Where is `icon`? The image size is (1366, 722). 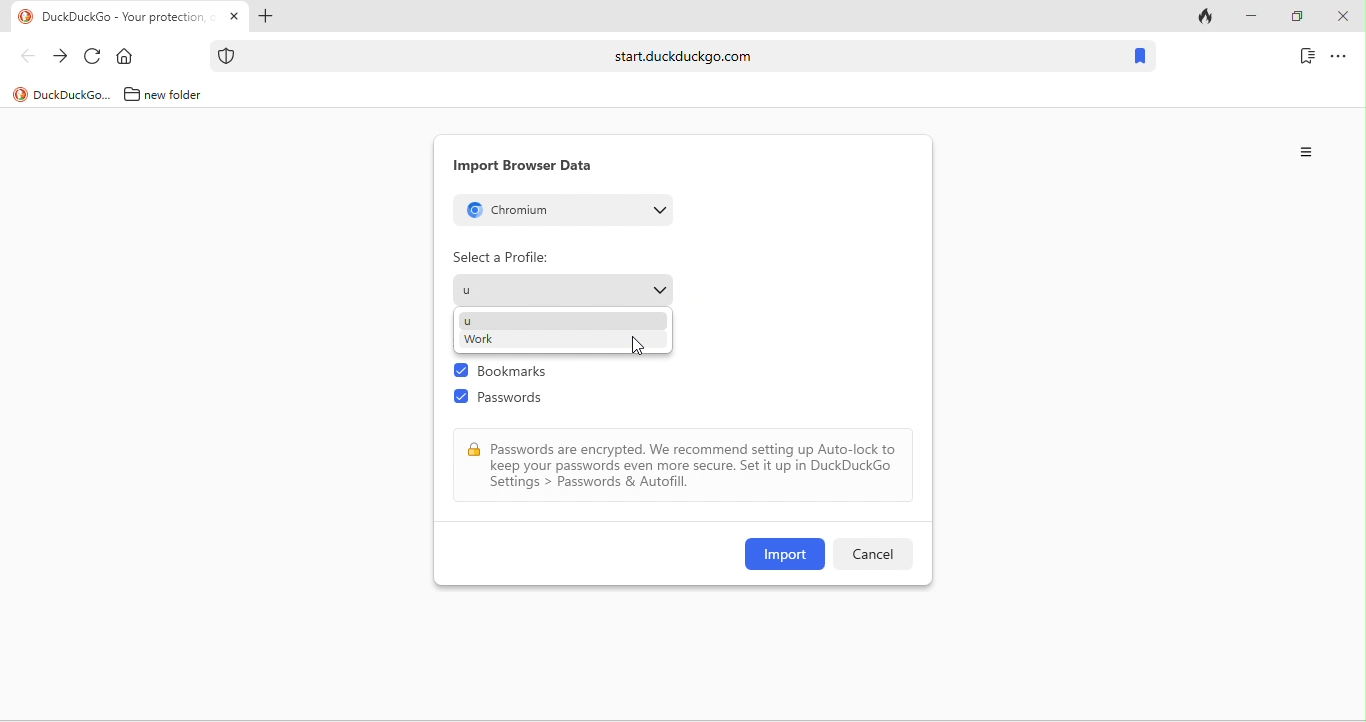
icon is located at coordinates (20, 95).